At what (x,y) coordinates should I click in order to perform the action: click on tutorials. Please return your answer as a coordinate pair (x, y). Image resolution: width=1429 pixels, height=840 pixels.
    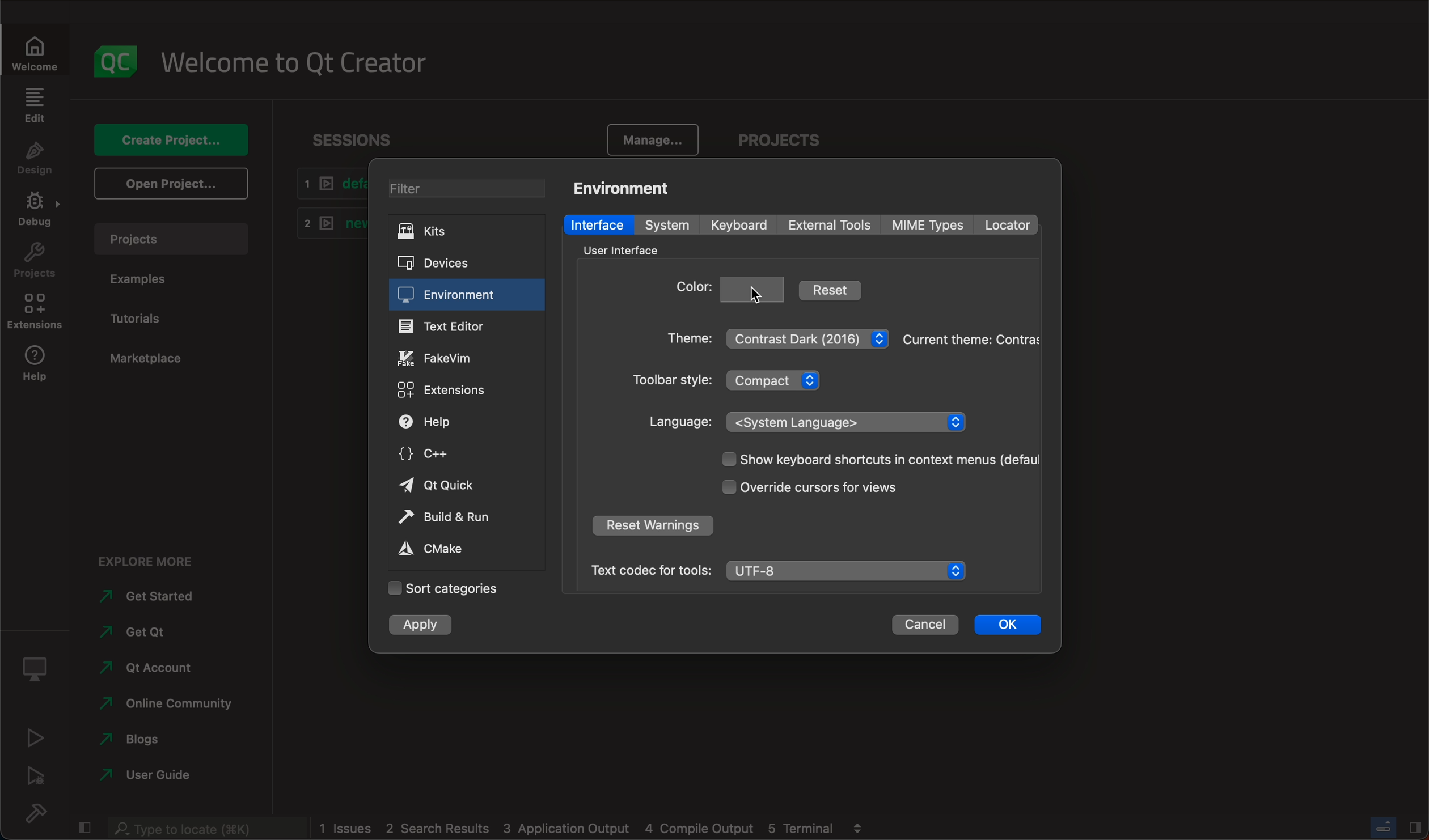
    Looking at the image, I should click on (151, 317).